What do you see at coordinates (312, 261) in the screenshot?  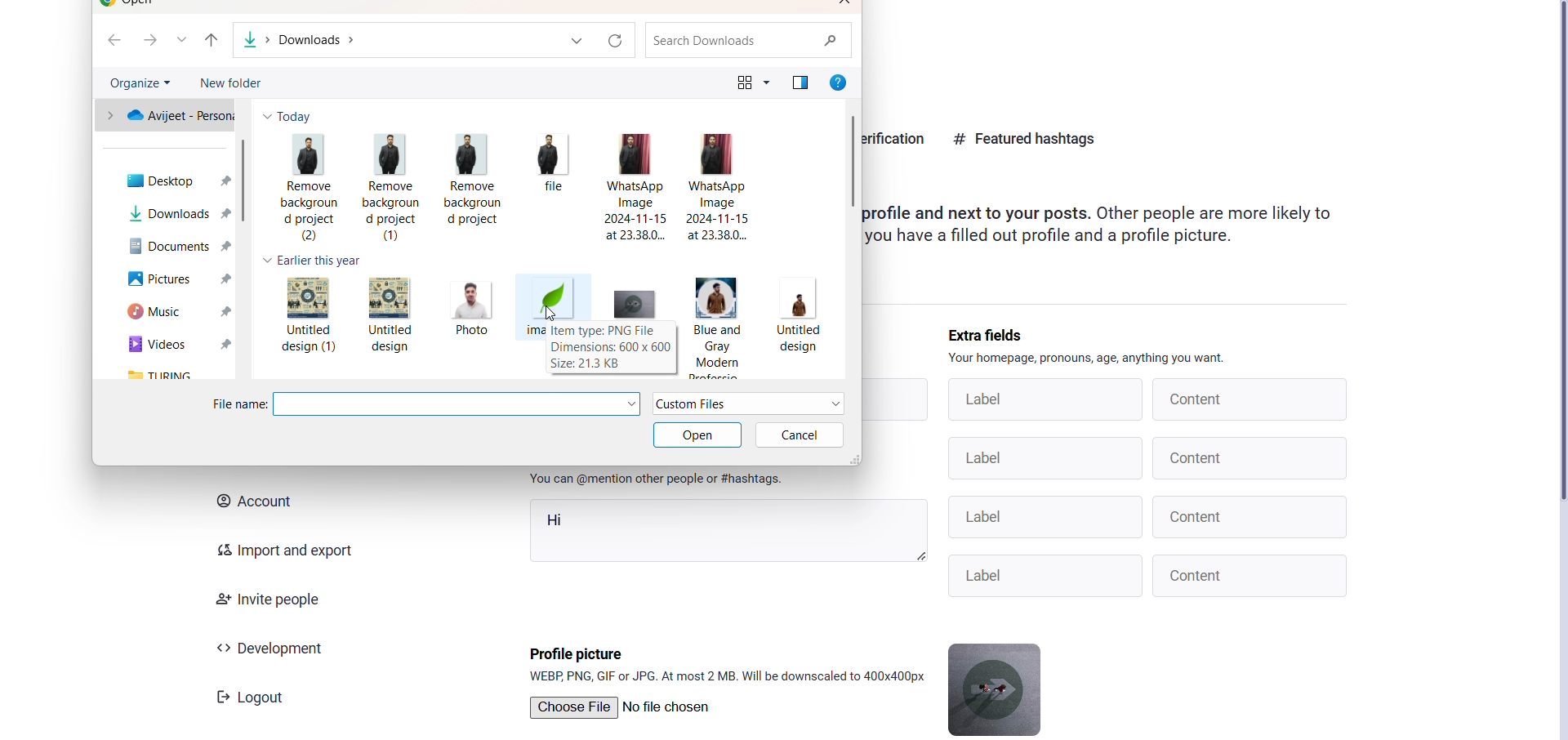 I see `earlier this year` at bounding box center [312, 261].